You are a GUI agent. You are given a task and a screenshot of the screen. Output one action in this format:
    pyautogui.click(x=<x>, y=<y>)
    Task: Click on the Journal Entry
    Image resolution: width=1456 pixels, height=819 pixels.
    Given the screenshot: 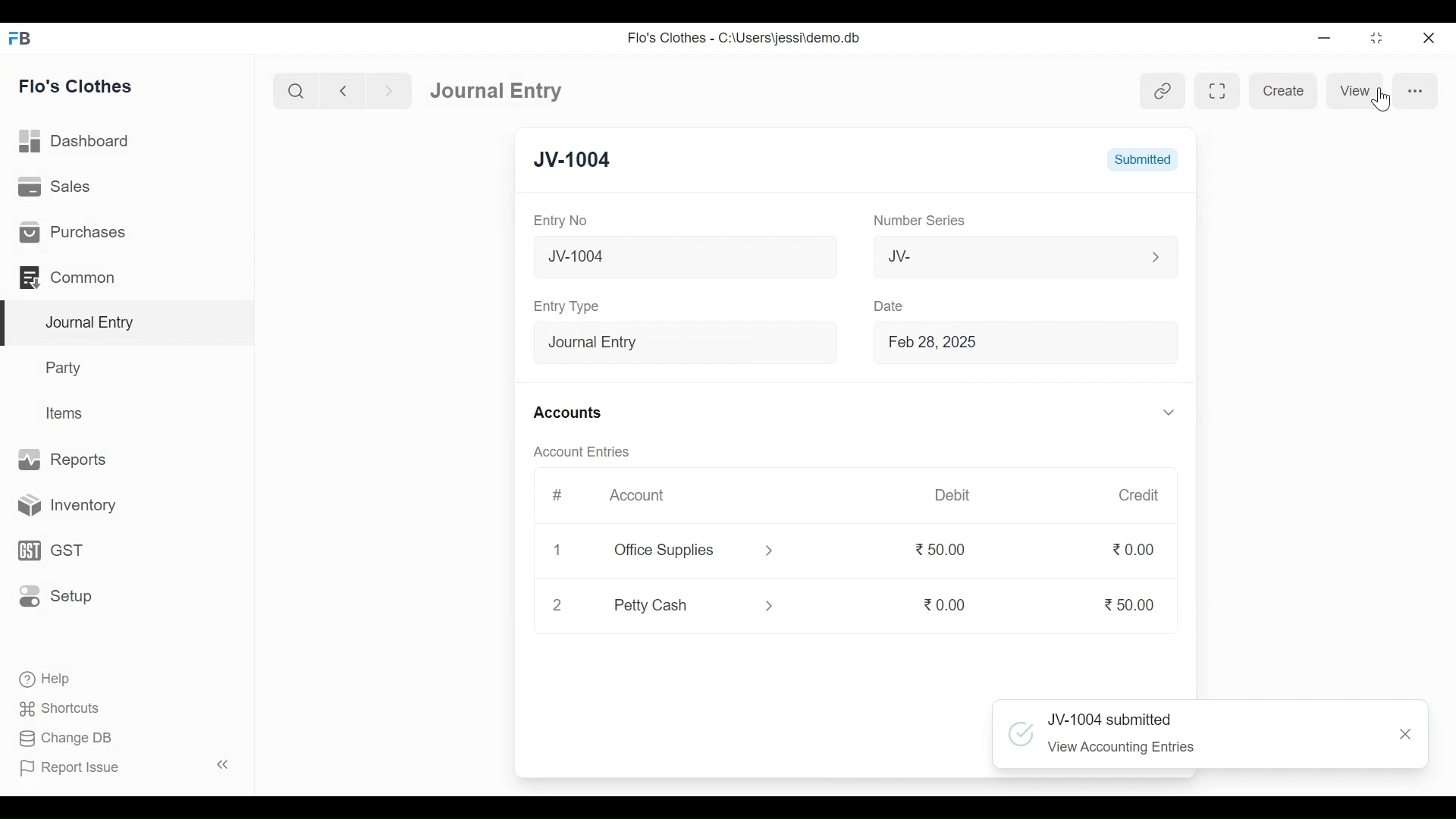 What is the action you would take?
    pyautogui.click(x=502, y=90)
    